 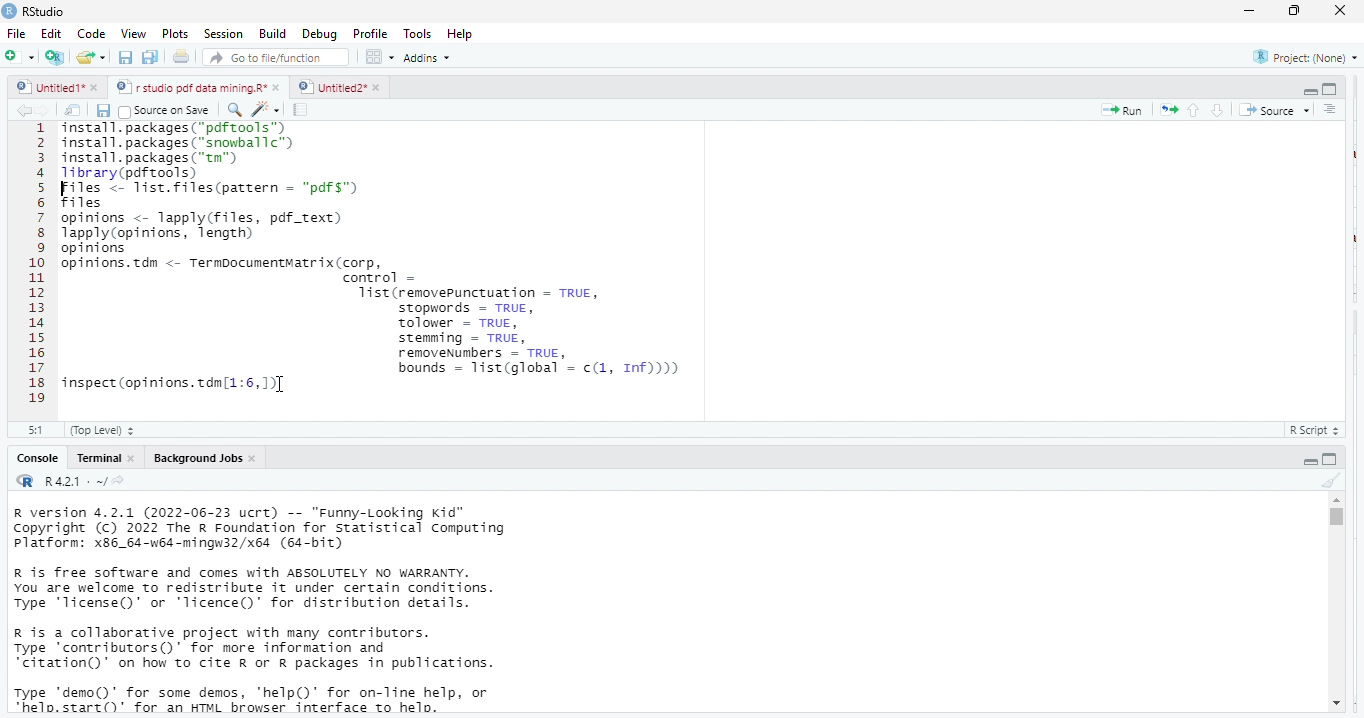 What do you see at coordinates (317, 33) in the screenshot?
I see `debug` at bounding box center [317, 33].